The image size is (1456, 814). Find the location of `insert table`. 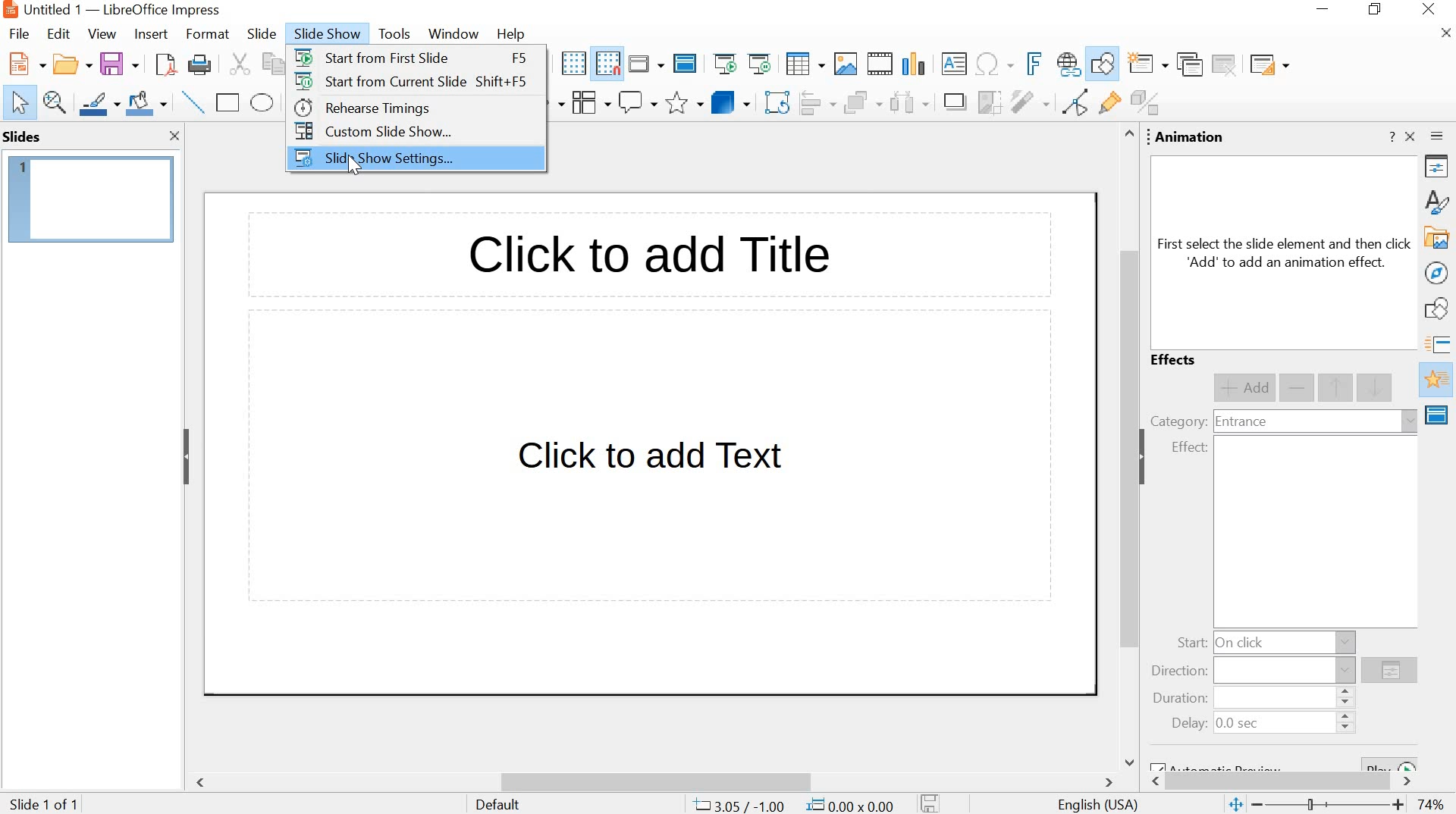

insert table is located at coordinates (805, 65).